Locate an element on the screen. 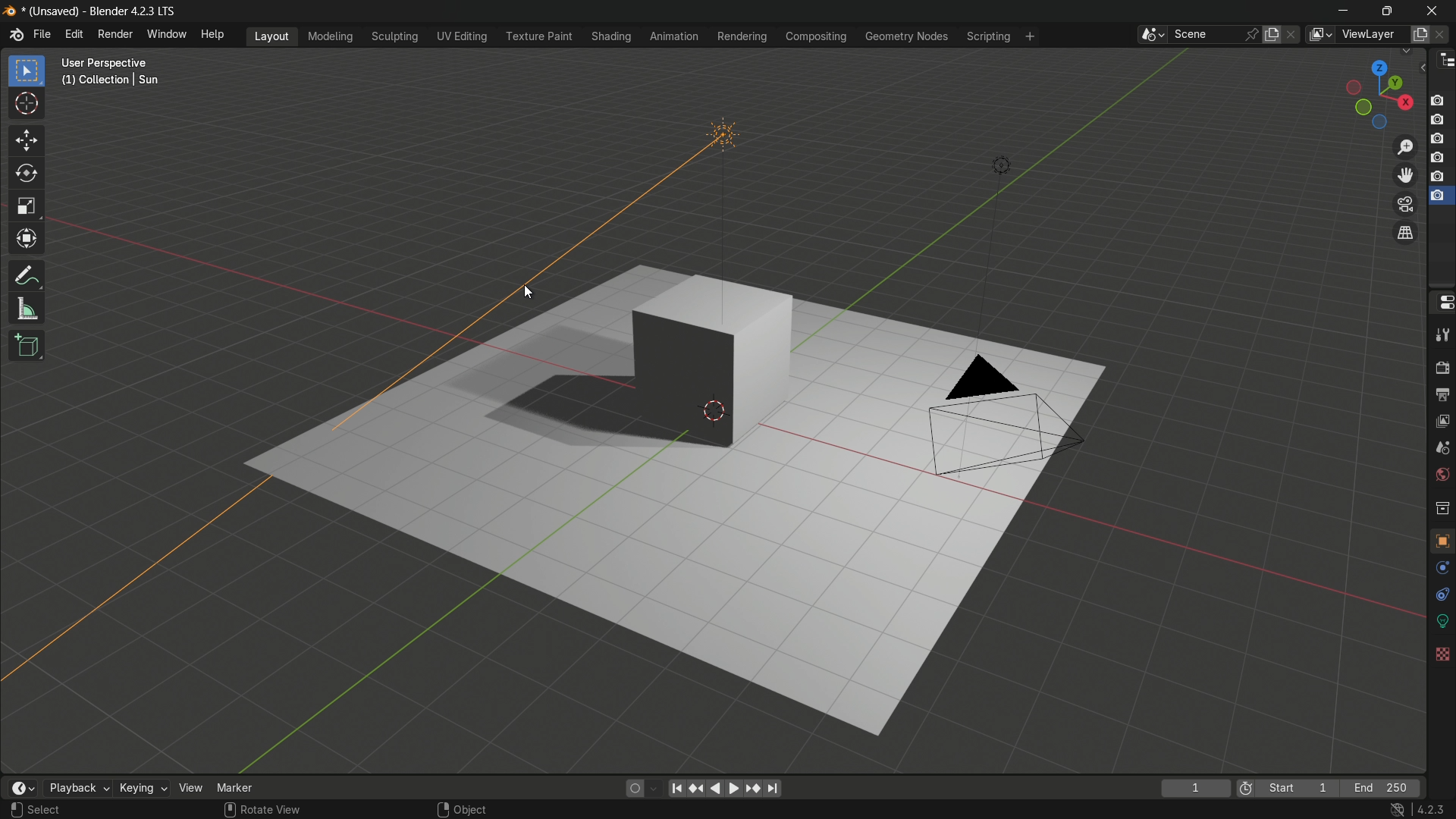 Image resolution: width=1456 pixels, height=819 pixels. render is located at coordinates (115, 34).